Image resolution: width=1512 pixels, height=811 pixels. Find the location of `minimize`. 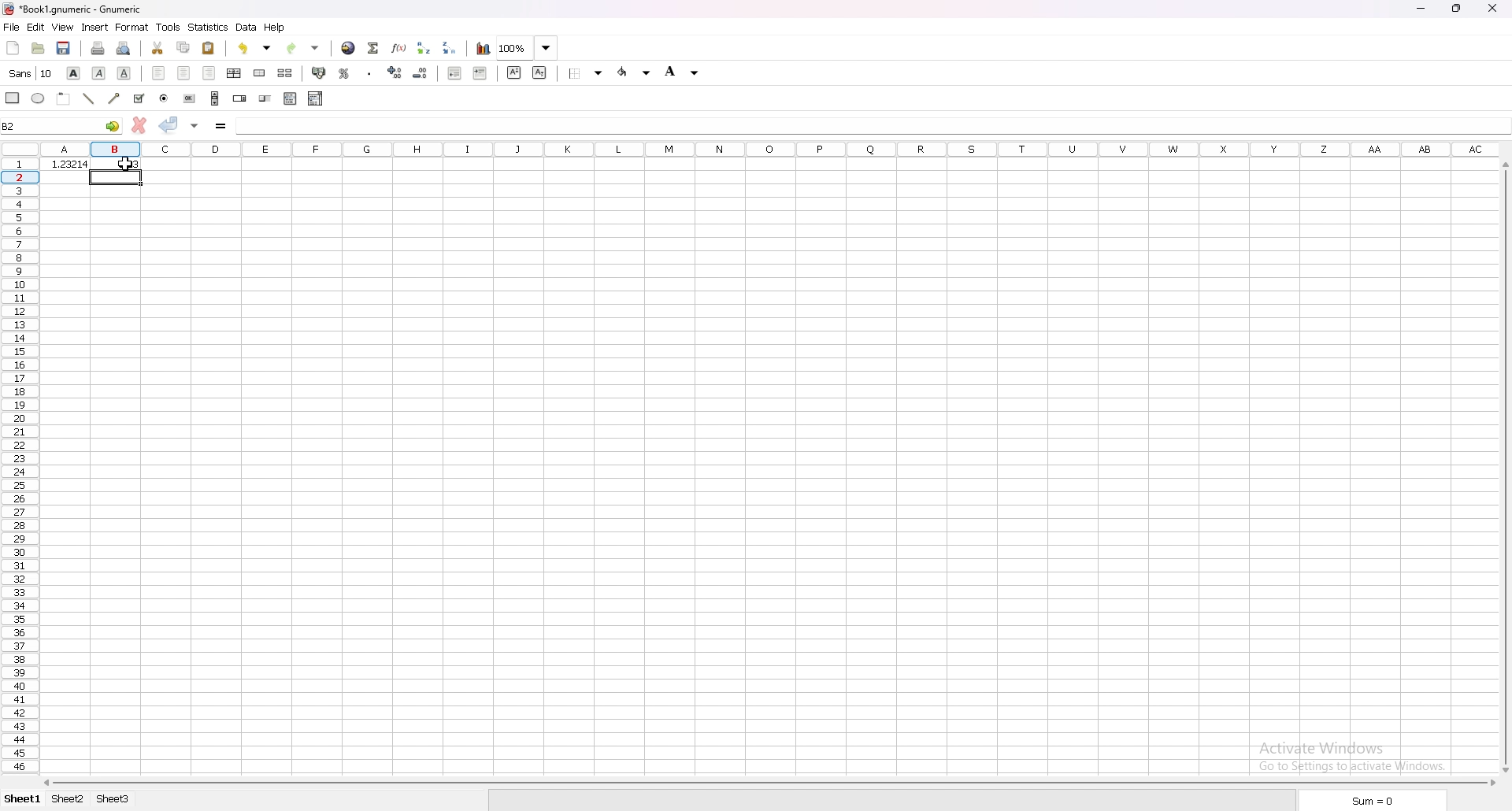

minimize is located at coordinates (1422, 7).